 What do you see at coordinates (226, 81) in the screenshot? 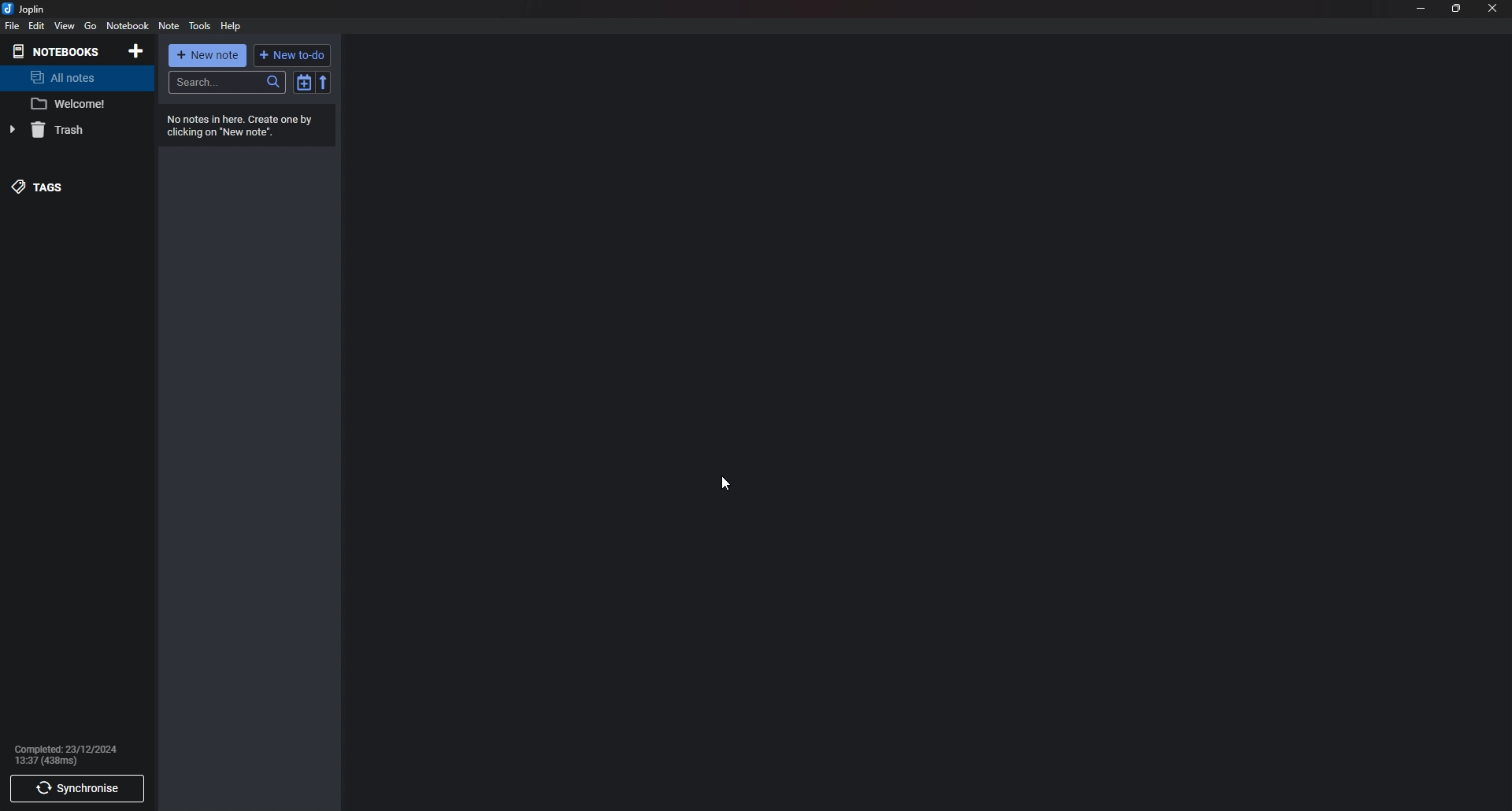
I see `search` at bounding box center [226, 81].